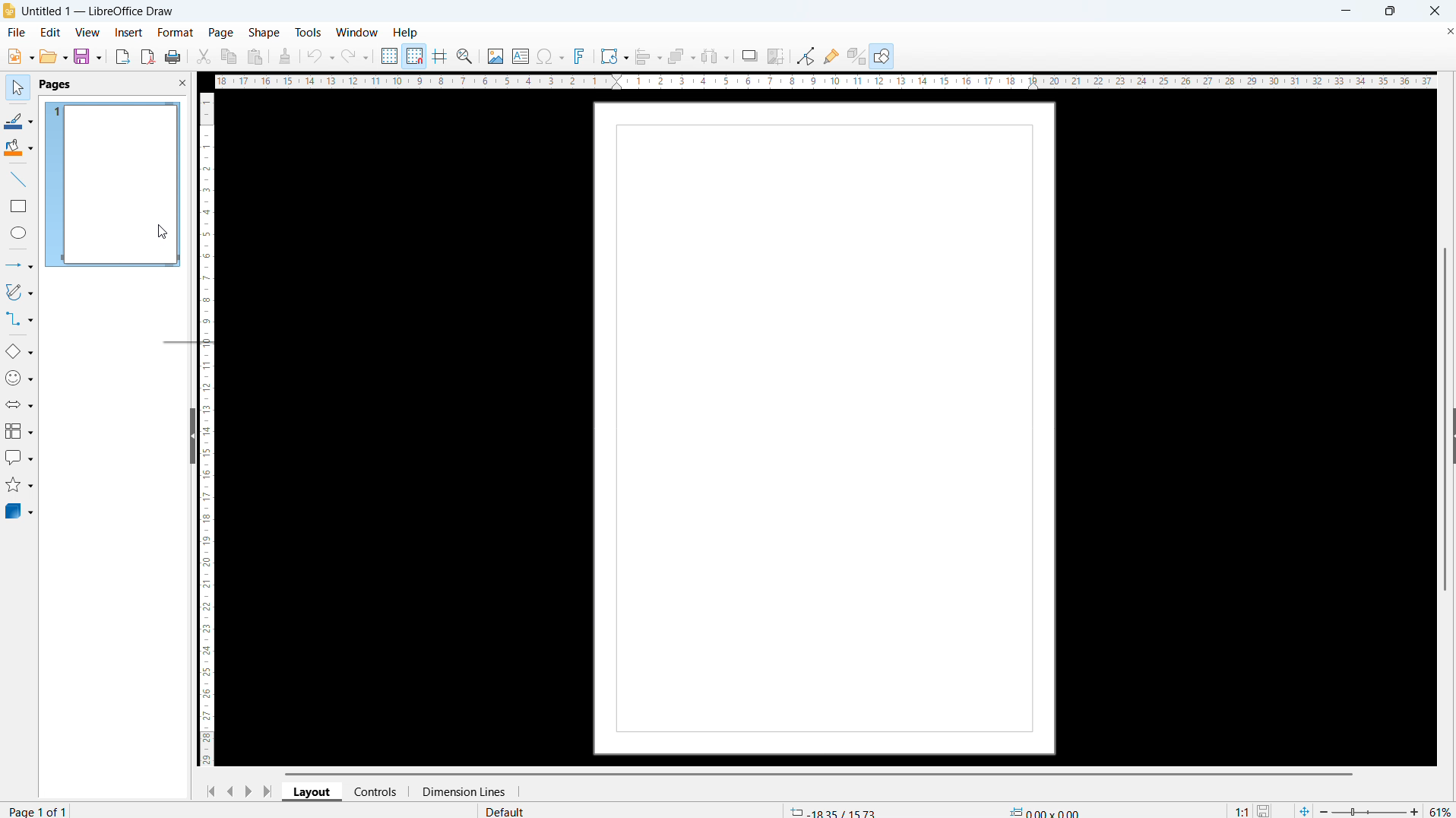 The width and height of the screenshot is (1456, 818). I want to click on select, so click(17, 88).